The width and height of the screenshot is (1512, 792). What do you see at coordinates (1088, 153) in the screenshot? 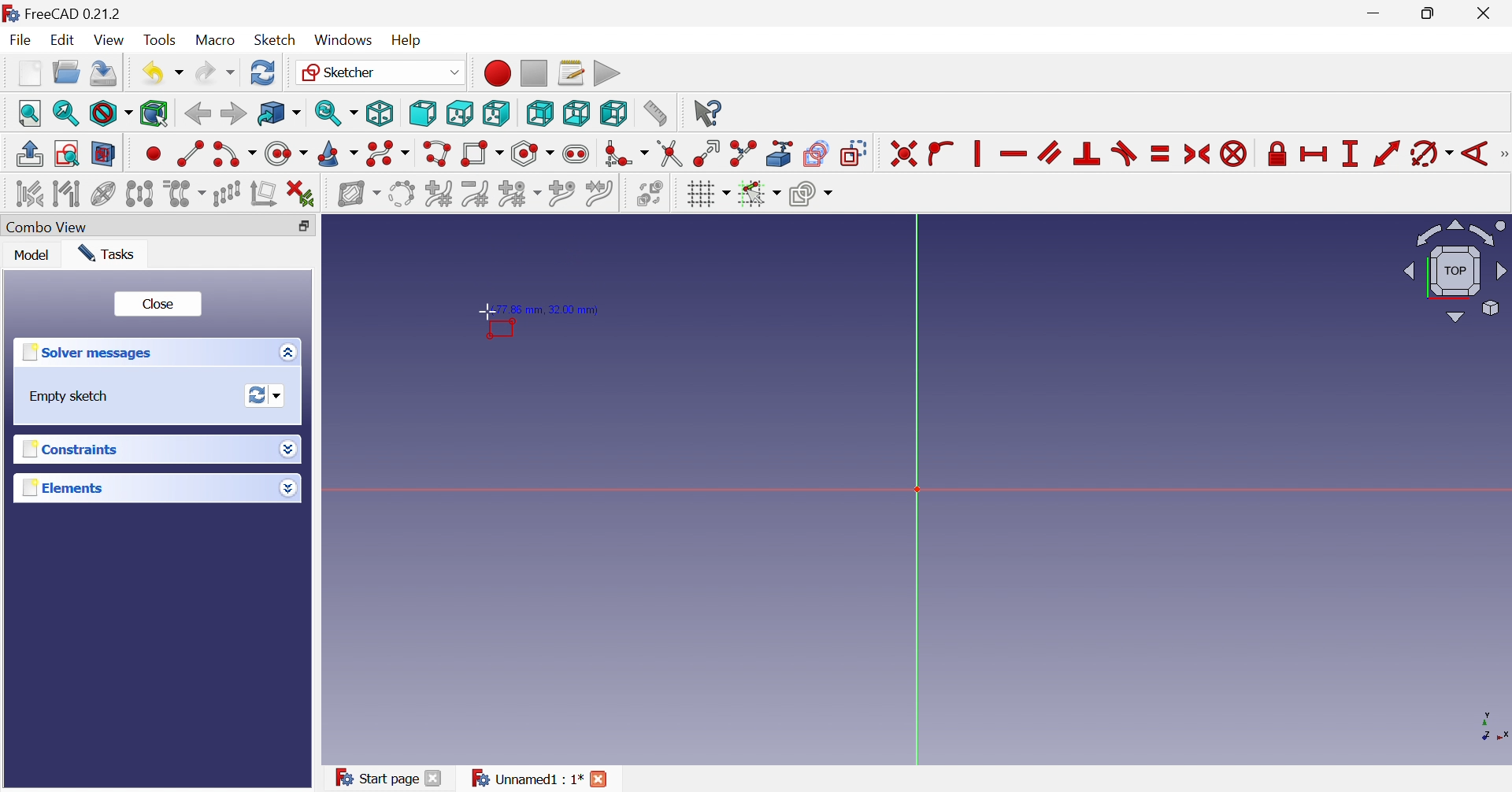
I see `Constrain perpendicular` at bounding box center [1088, 153].